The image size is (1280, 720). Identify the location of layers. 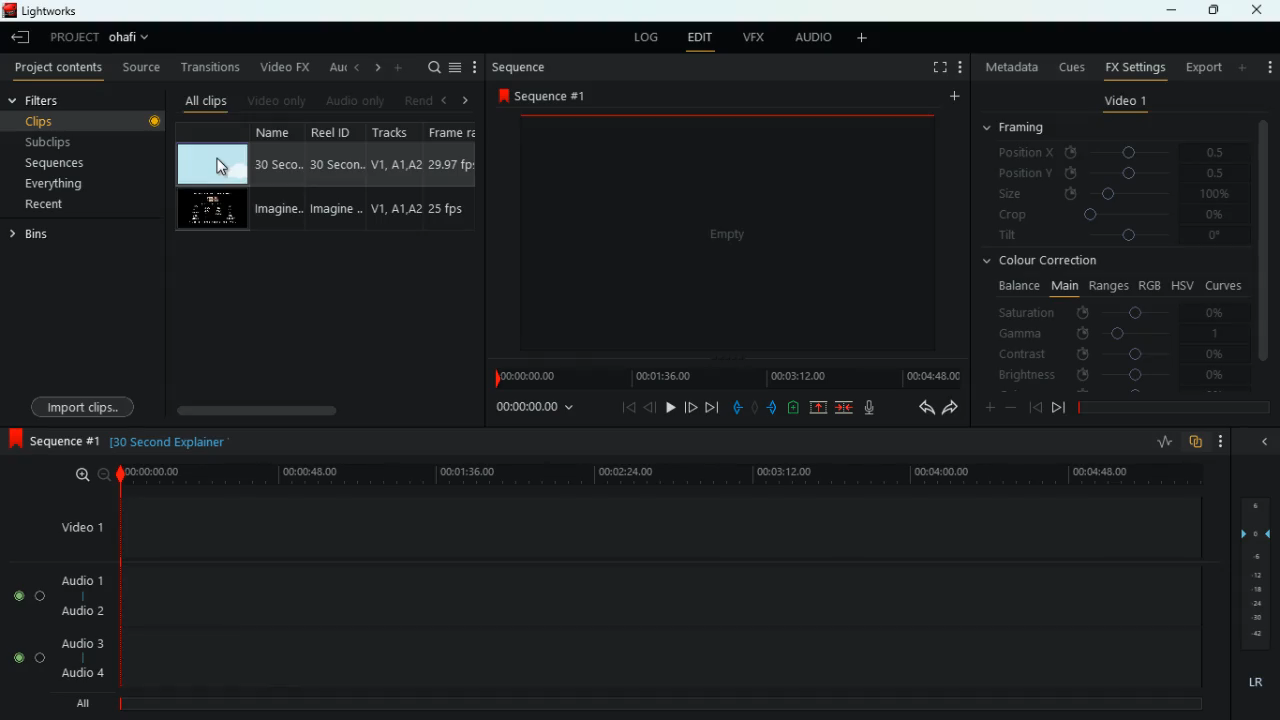
(1252, 576).